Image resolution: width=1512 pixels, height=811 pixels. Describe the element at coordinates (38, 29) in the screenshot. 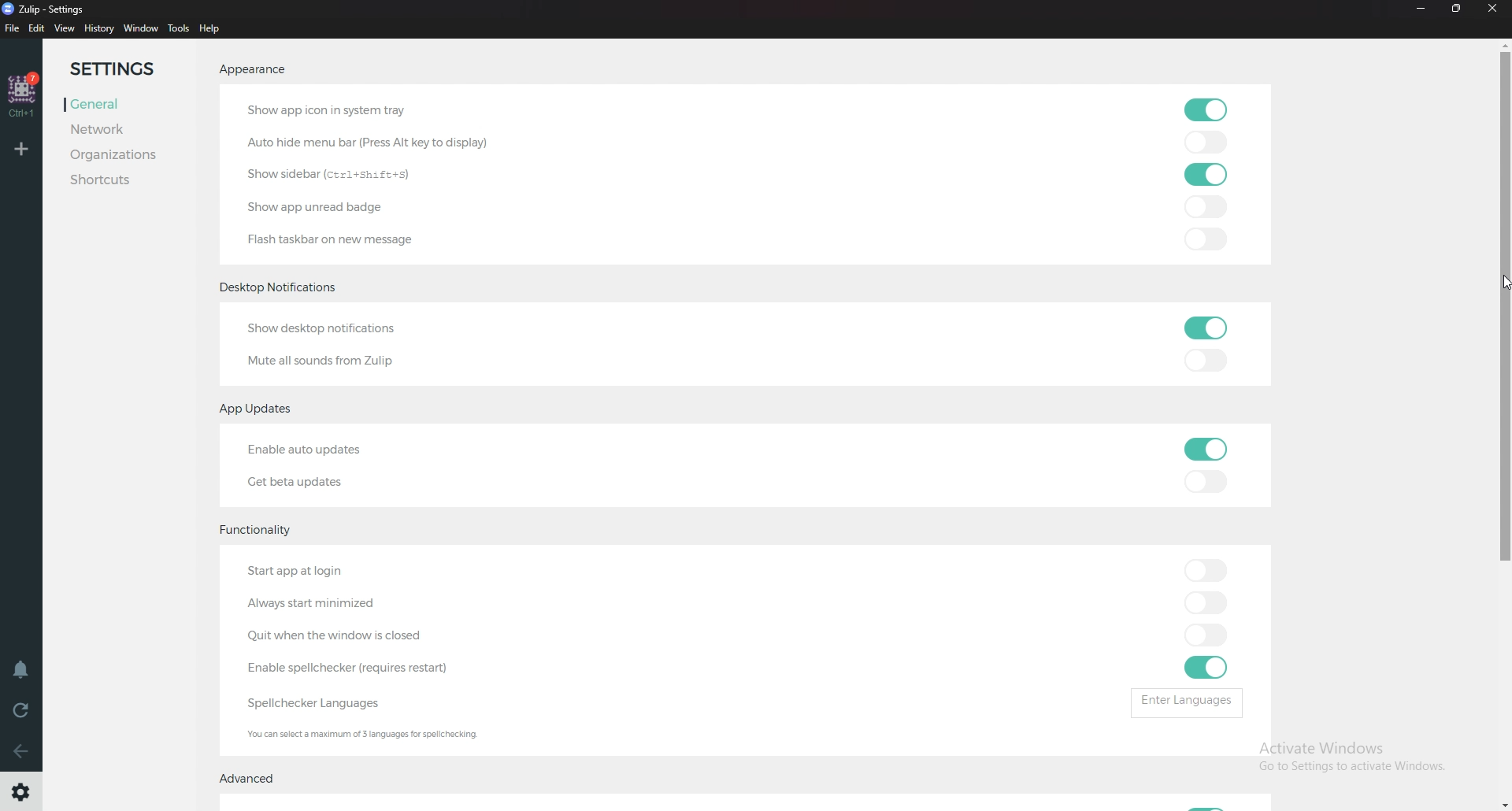

I see `Edit` at that location.